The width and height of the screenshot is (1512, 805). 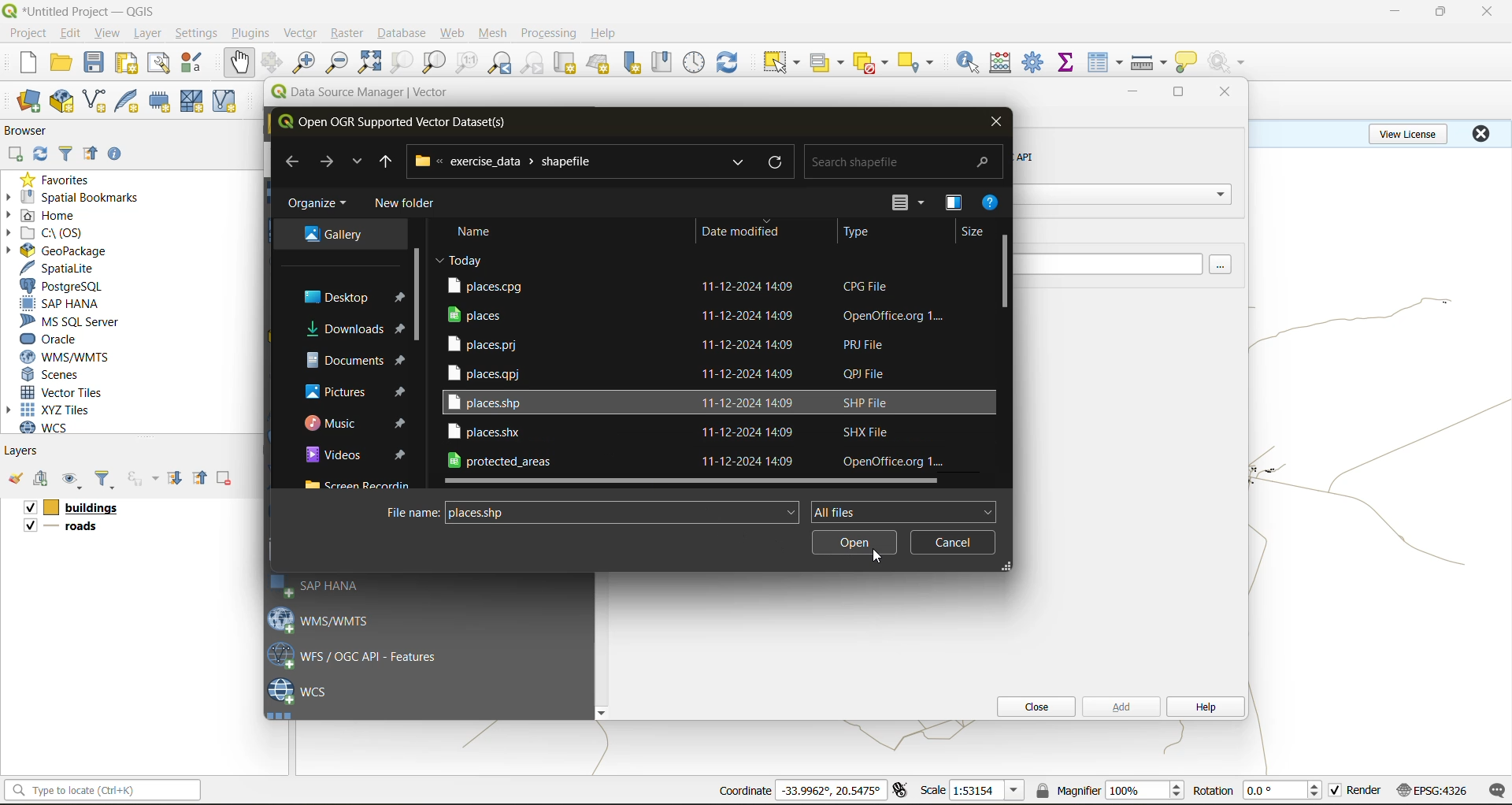 What do you see at coordinates (467, 63) in the screenshot?
I see `zoom native` at bounding box center [467, 63].